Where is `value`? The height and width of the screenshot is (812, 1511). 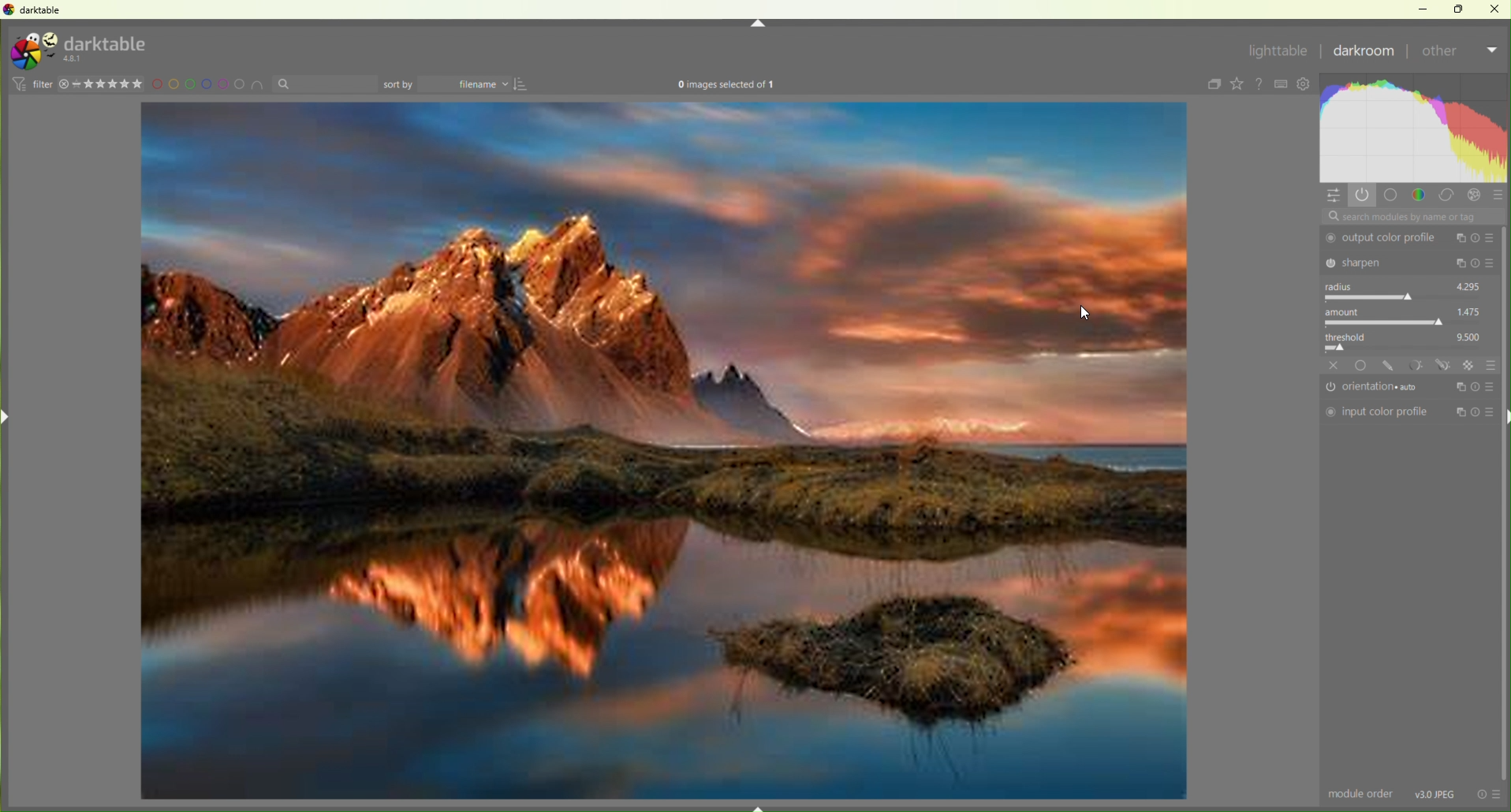
value is located at coordinates (1469, 285).